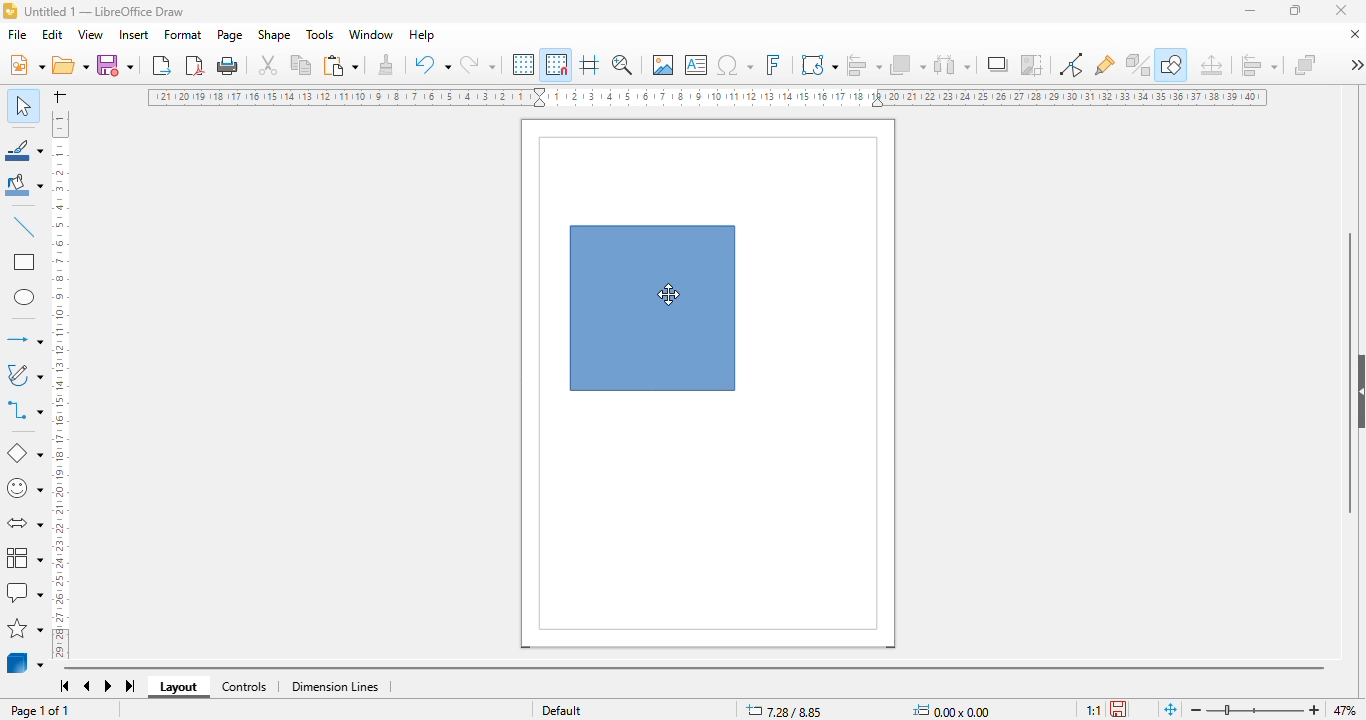 This screenshot has height=720, width=1366. I want to click on width  & height of object, so click(951, 710).